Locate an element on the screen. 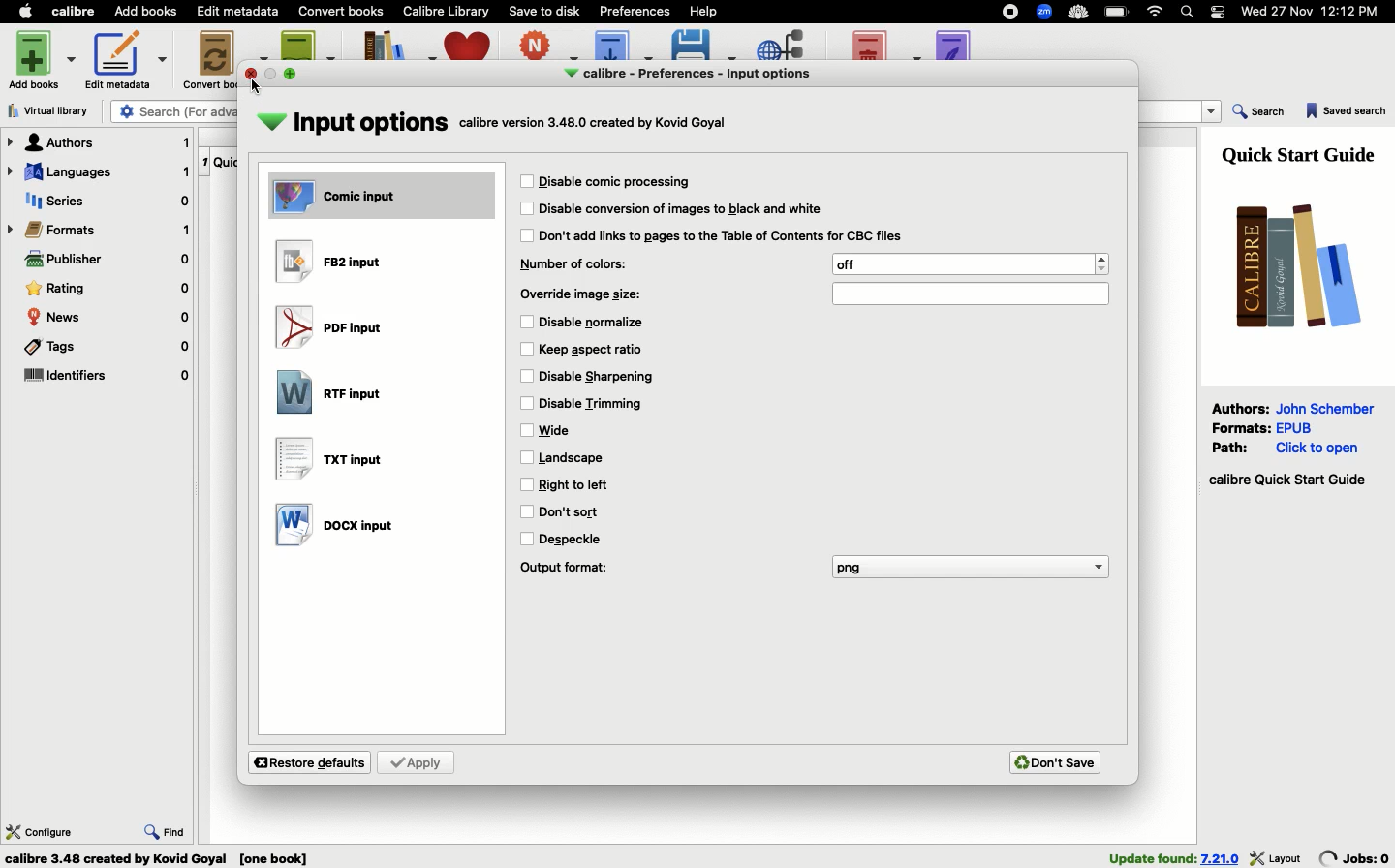  cursor is located at coordinates (257, 87).